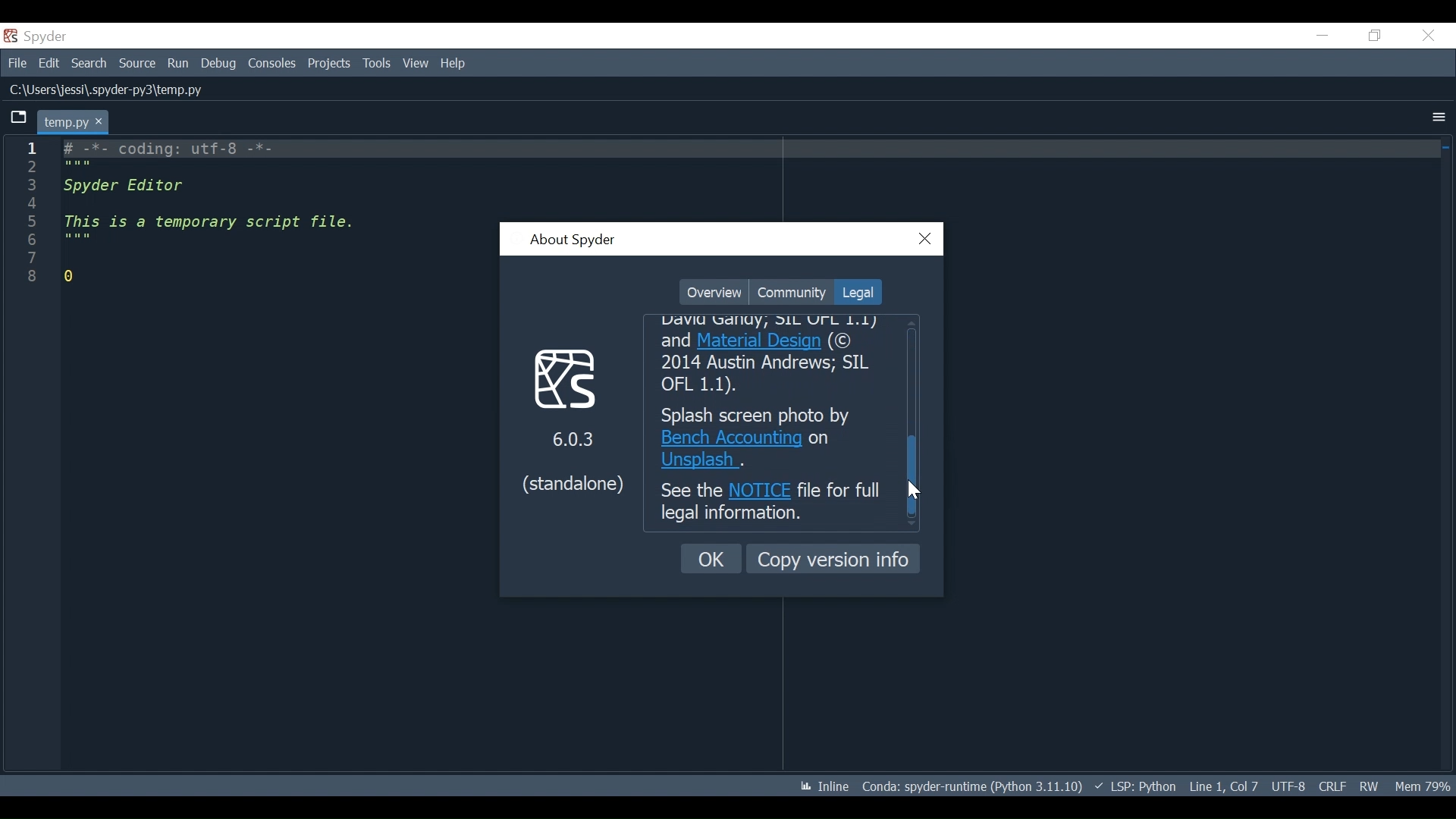 The width and height of the screenshot is (1456, 819). I want to click on Close, so click(1428, 36).